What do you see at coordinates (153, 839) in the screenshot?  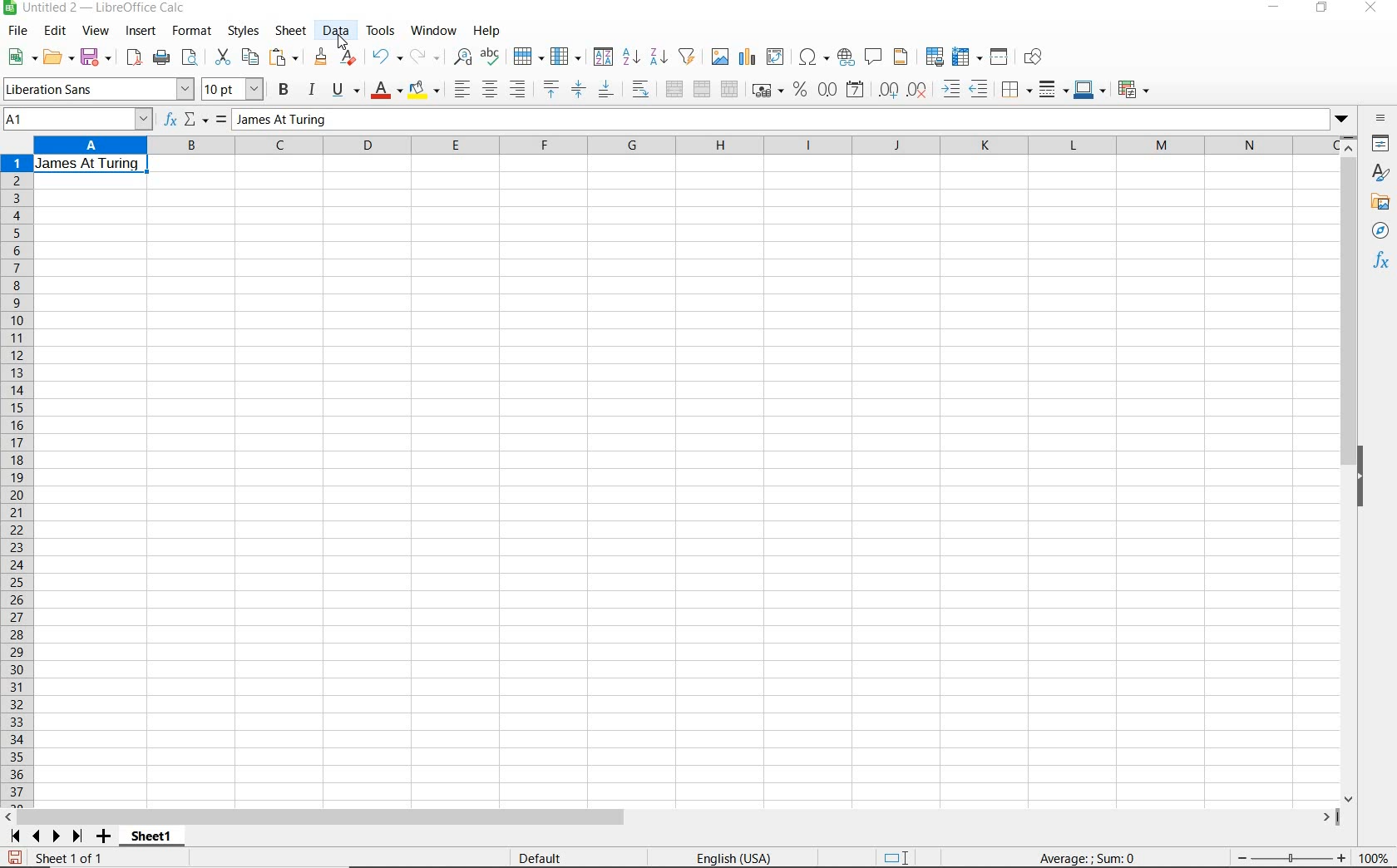 I see `sheet1` at bounding box center [153, 839].